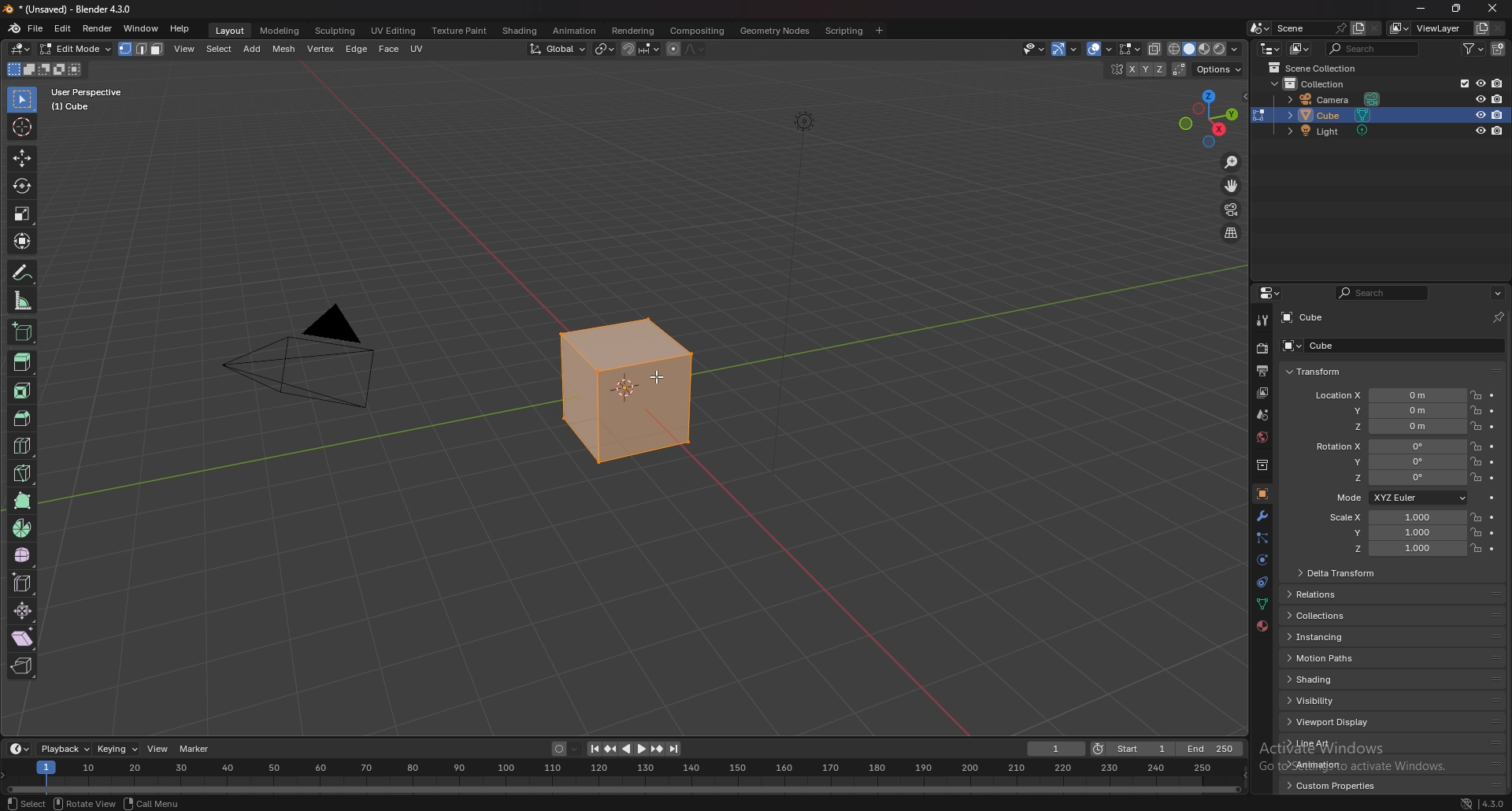  What do you see at coordinates (1428, 28) in the screenshot?
I see `view layer` at bounding box center [1428, 28].